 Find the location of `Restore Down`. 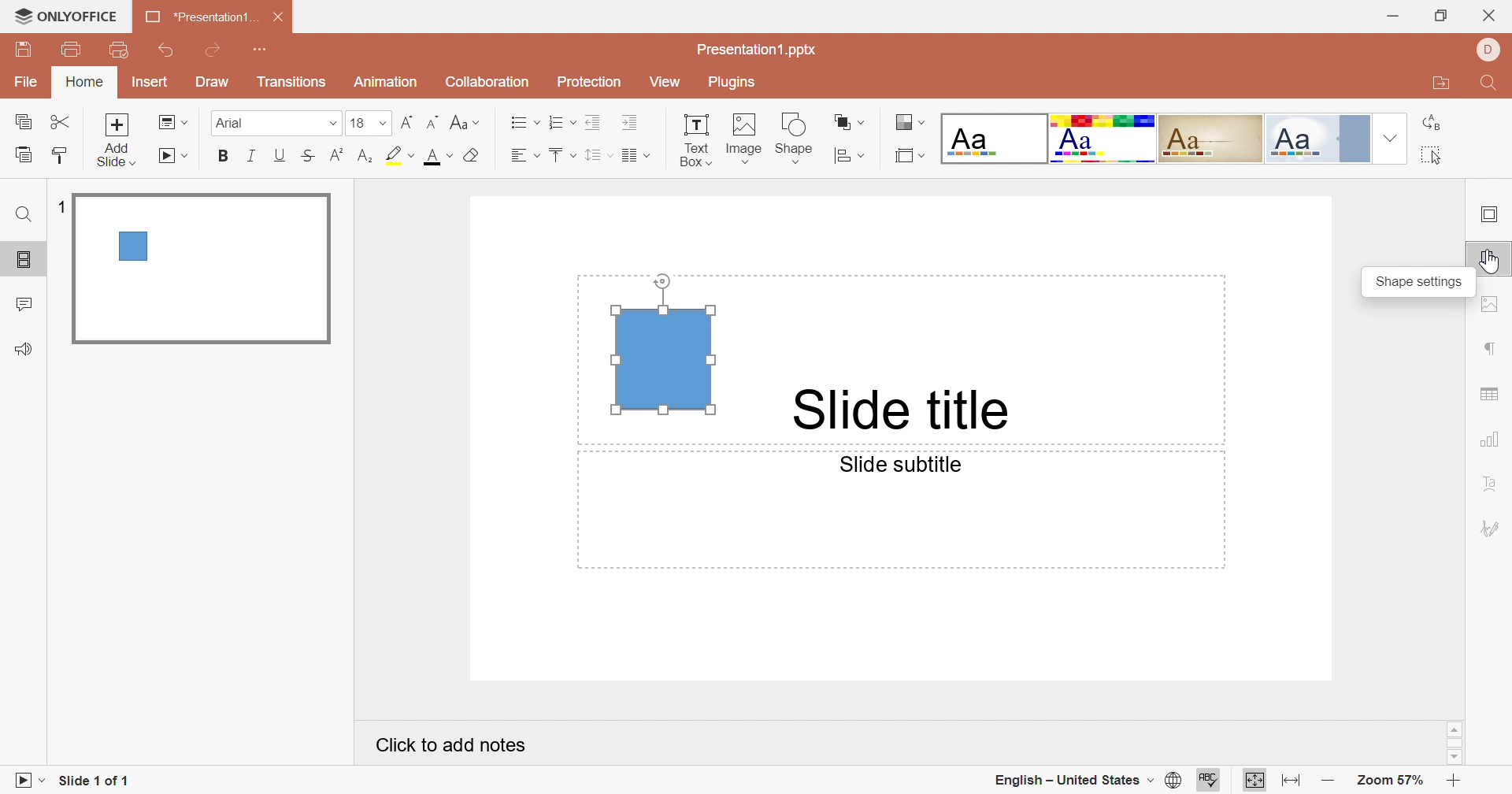

Restore Down is located at coordinates (1442, 15).